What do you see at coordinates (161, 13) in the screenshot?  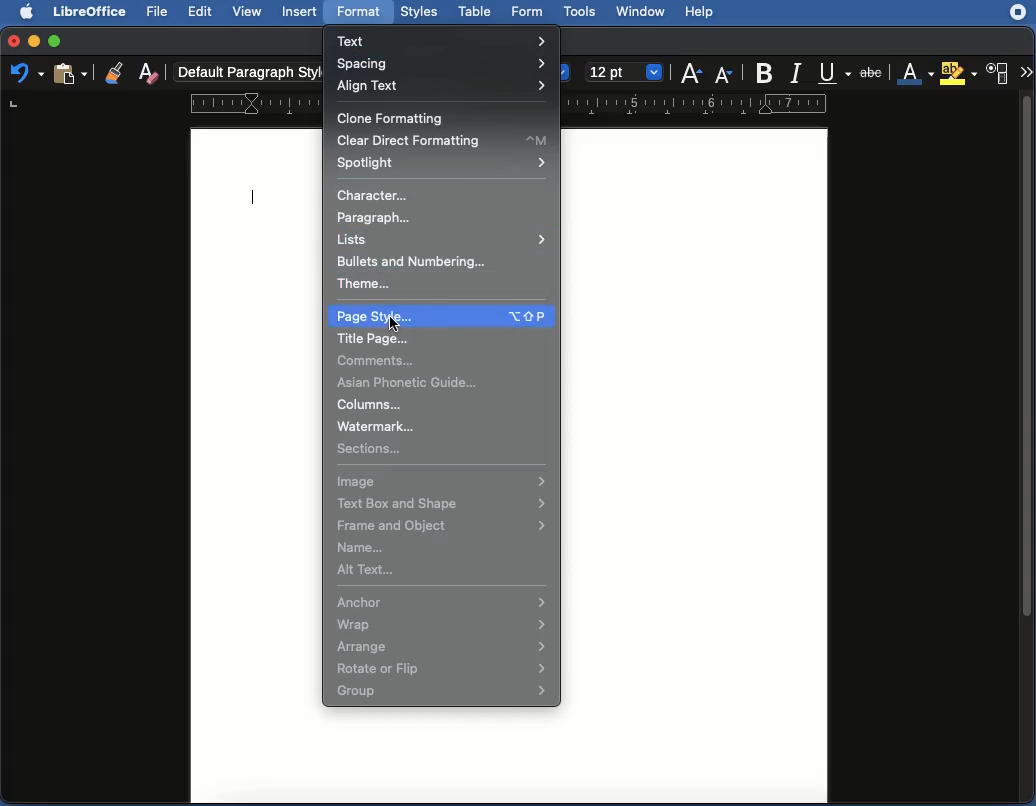 I see `File` at bounding box center [161, 13].